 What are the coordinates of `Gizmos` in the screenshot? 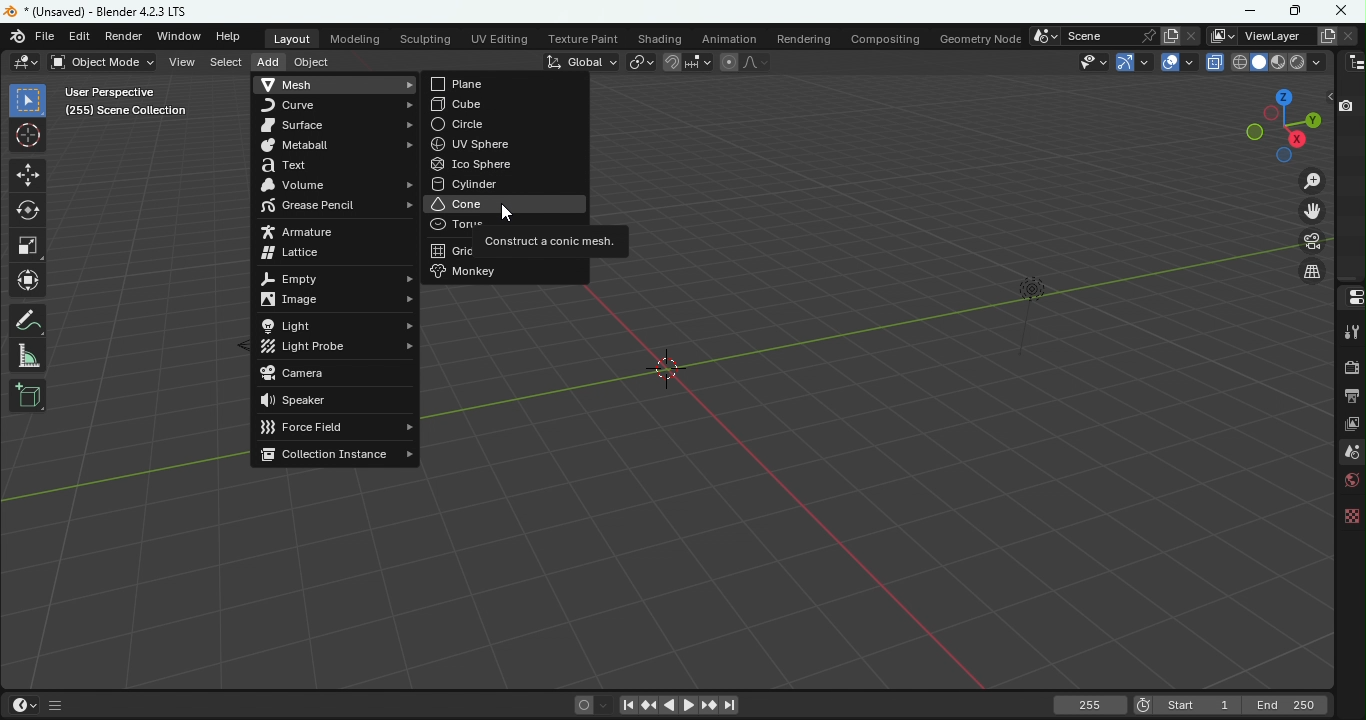 It's located at (1146, 60).